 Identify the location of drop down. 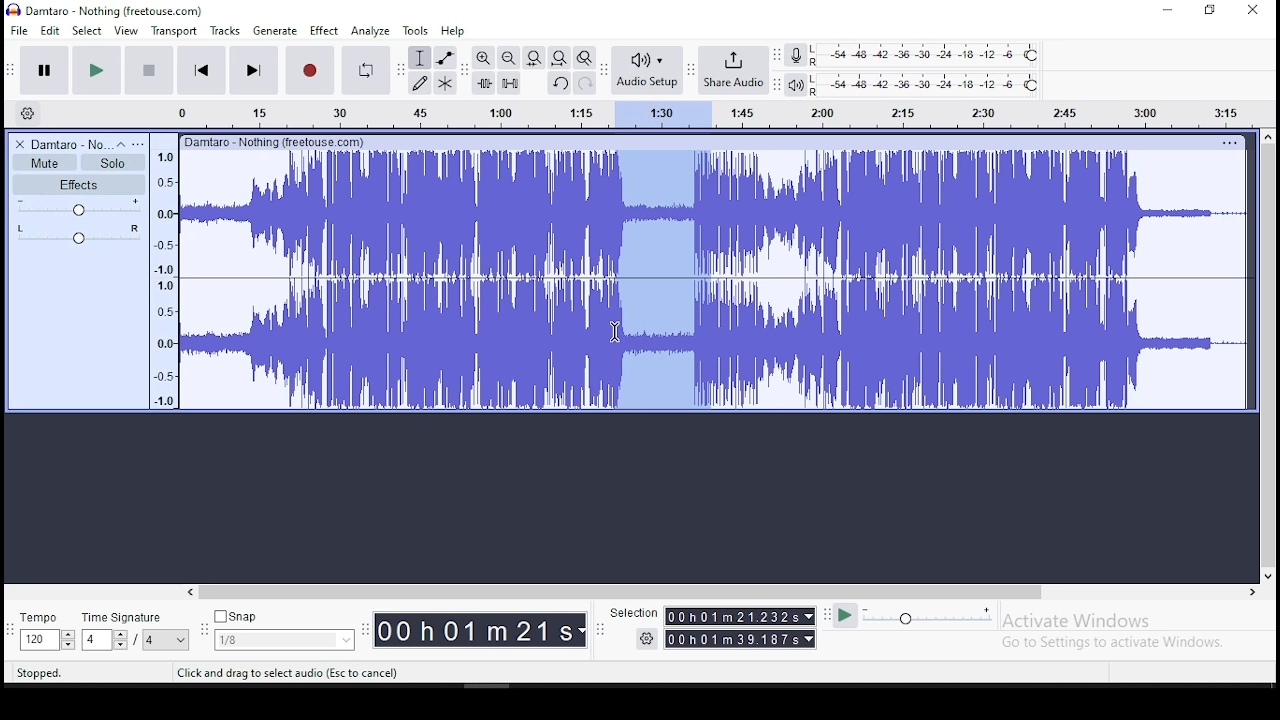
(344, 640).